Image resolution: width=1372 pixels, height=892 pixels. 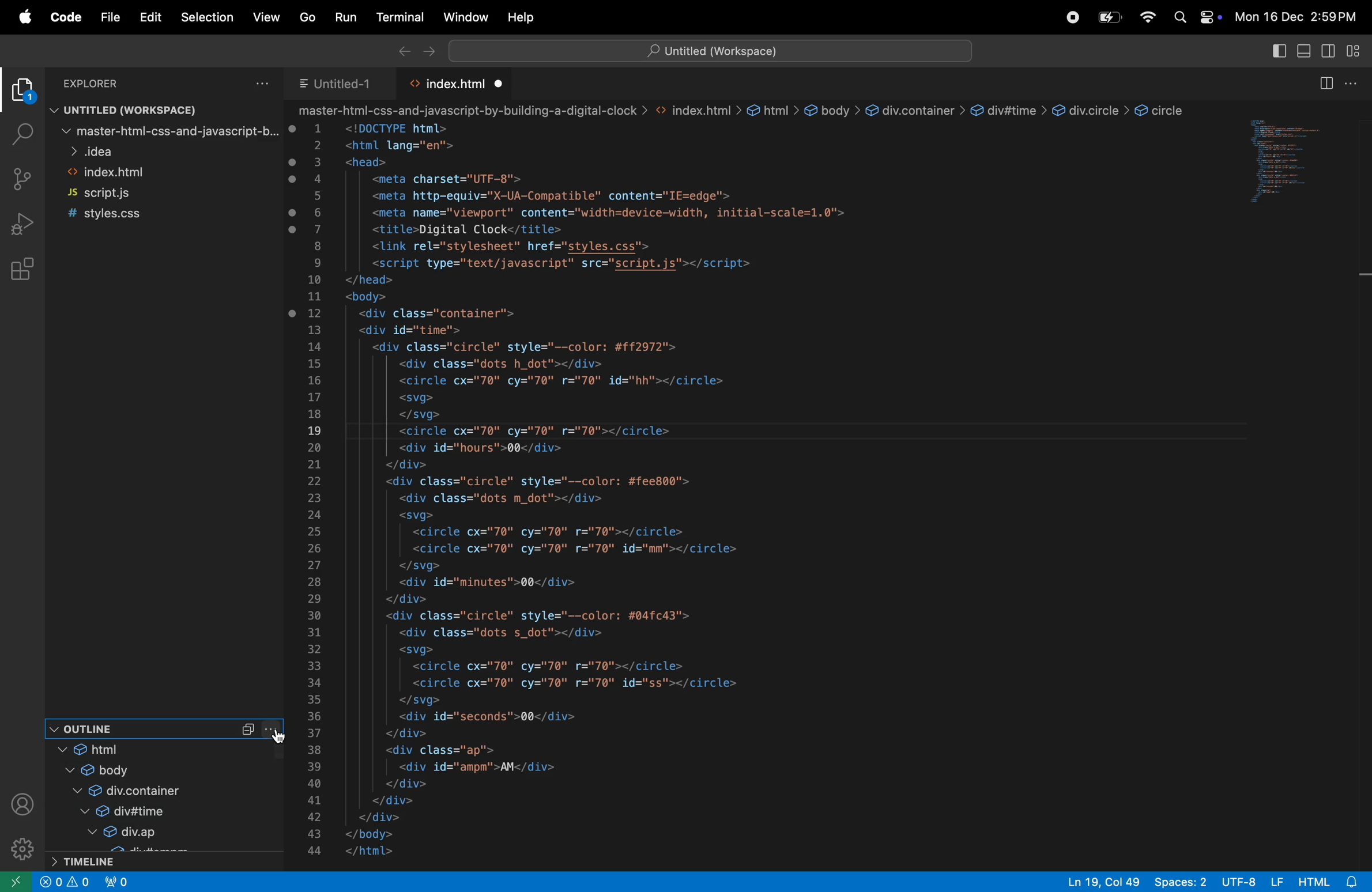 What do you see at coordinates (1324, 84) in the screenshot?
I see `split editor` at bounding box center [1324, 84].